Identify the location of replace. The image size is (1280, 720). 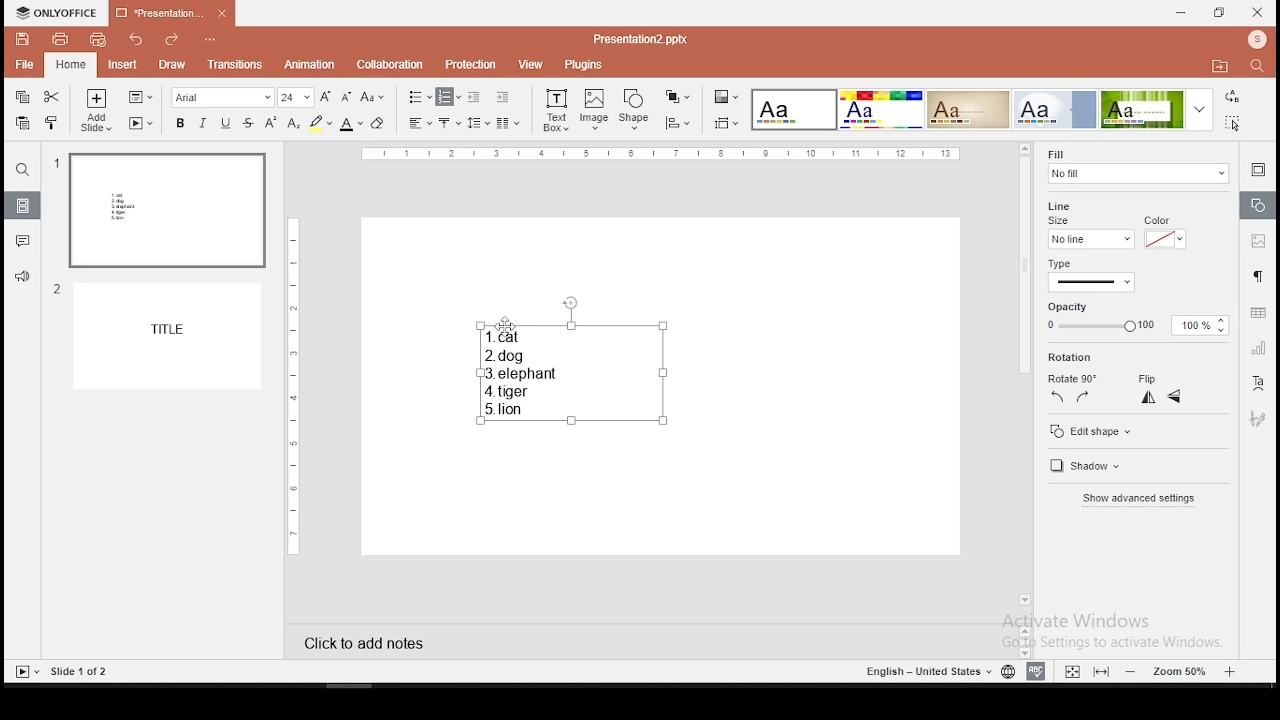
(1233, 97).